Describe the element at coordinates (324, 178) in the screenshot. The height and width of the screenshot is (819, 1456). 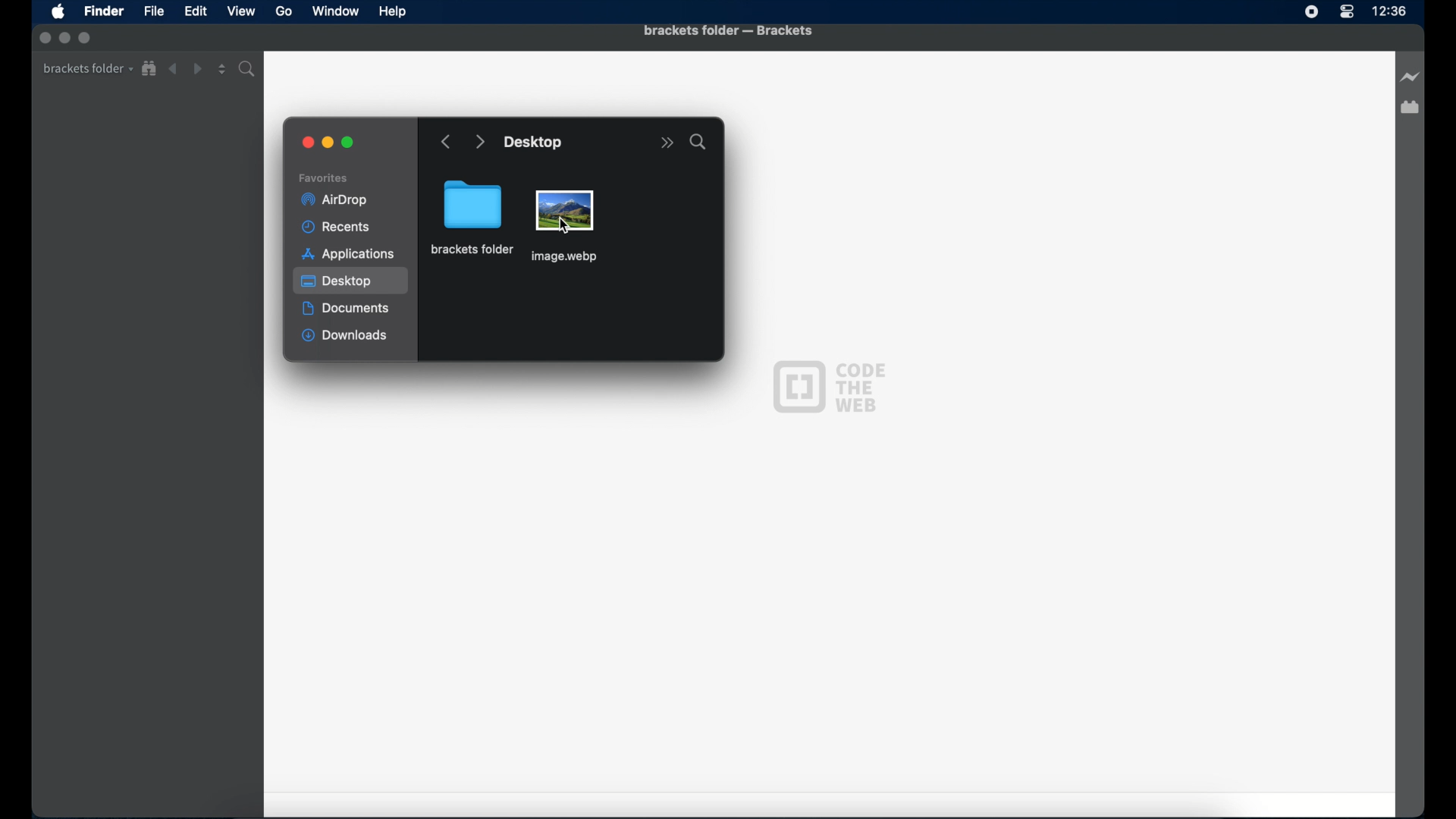
I see `favorites` at that location.